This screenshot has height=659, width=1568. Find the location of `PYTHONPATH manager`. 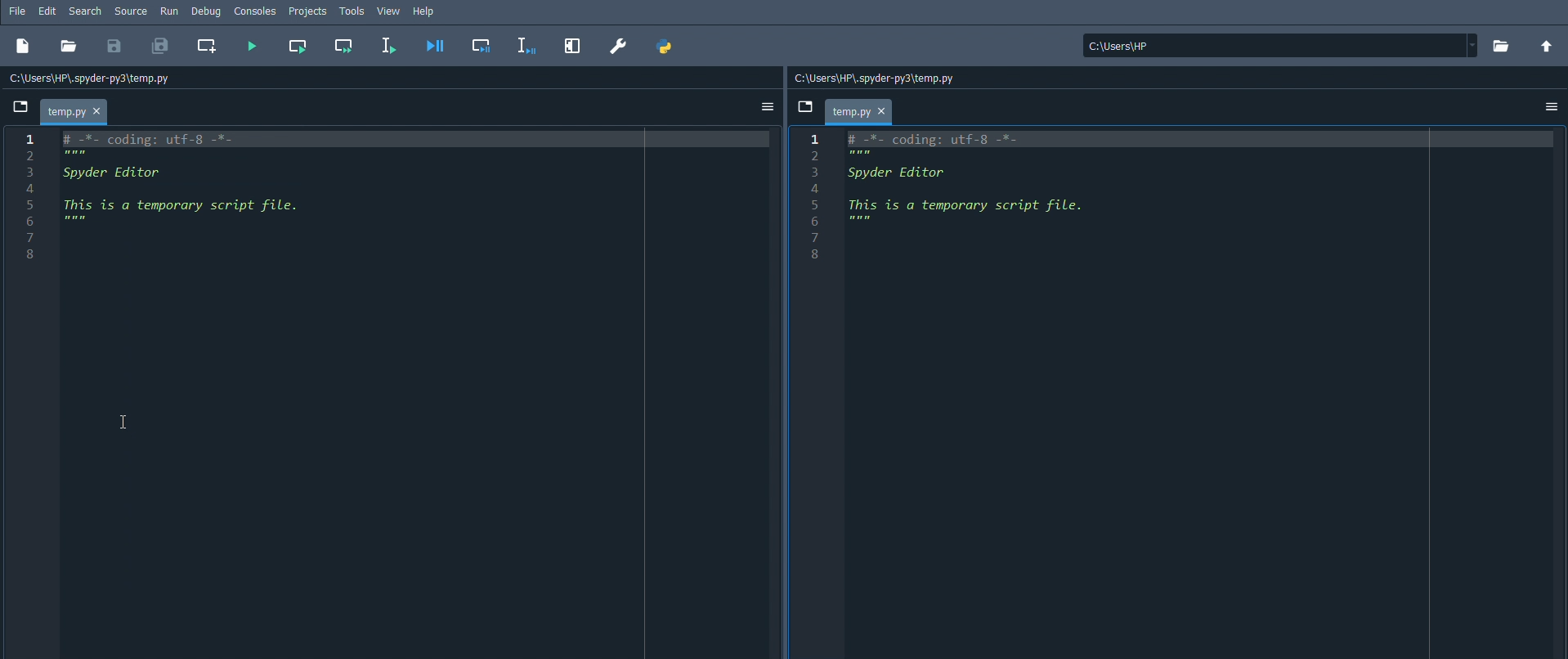

PYTHONPATH manager is located at coordinates (666, 47).